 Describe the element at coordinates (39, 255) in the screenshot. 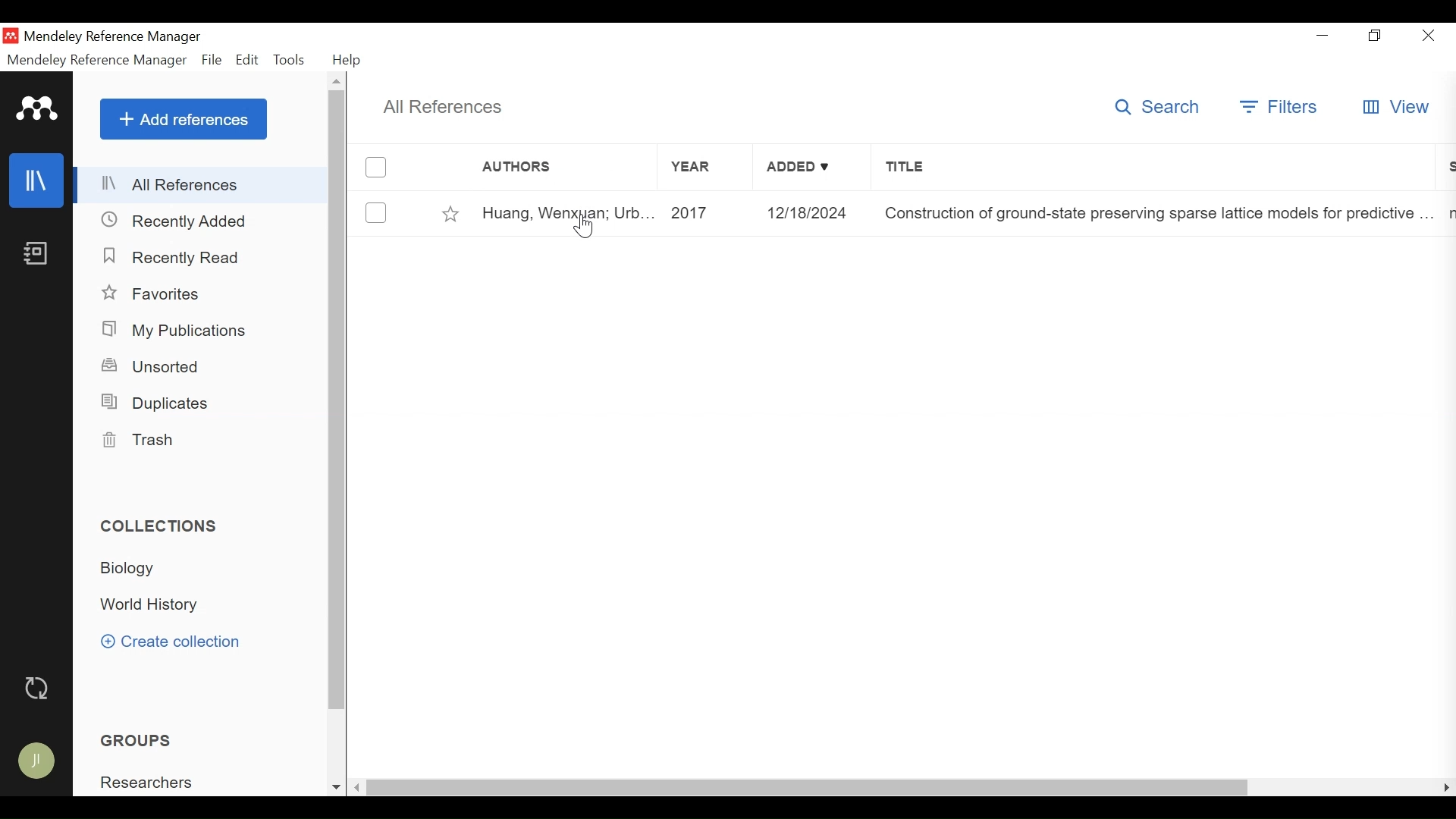

I see `Notebook` at that location.